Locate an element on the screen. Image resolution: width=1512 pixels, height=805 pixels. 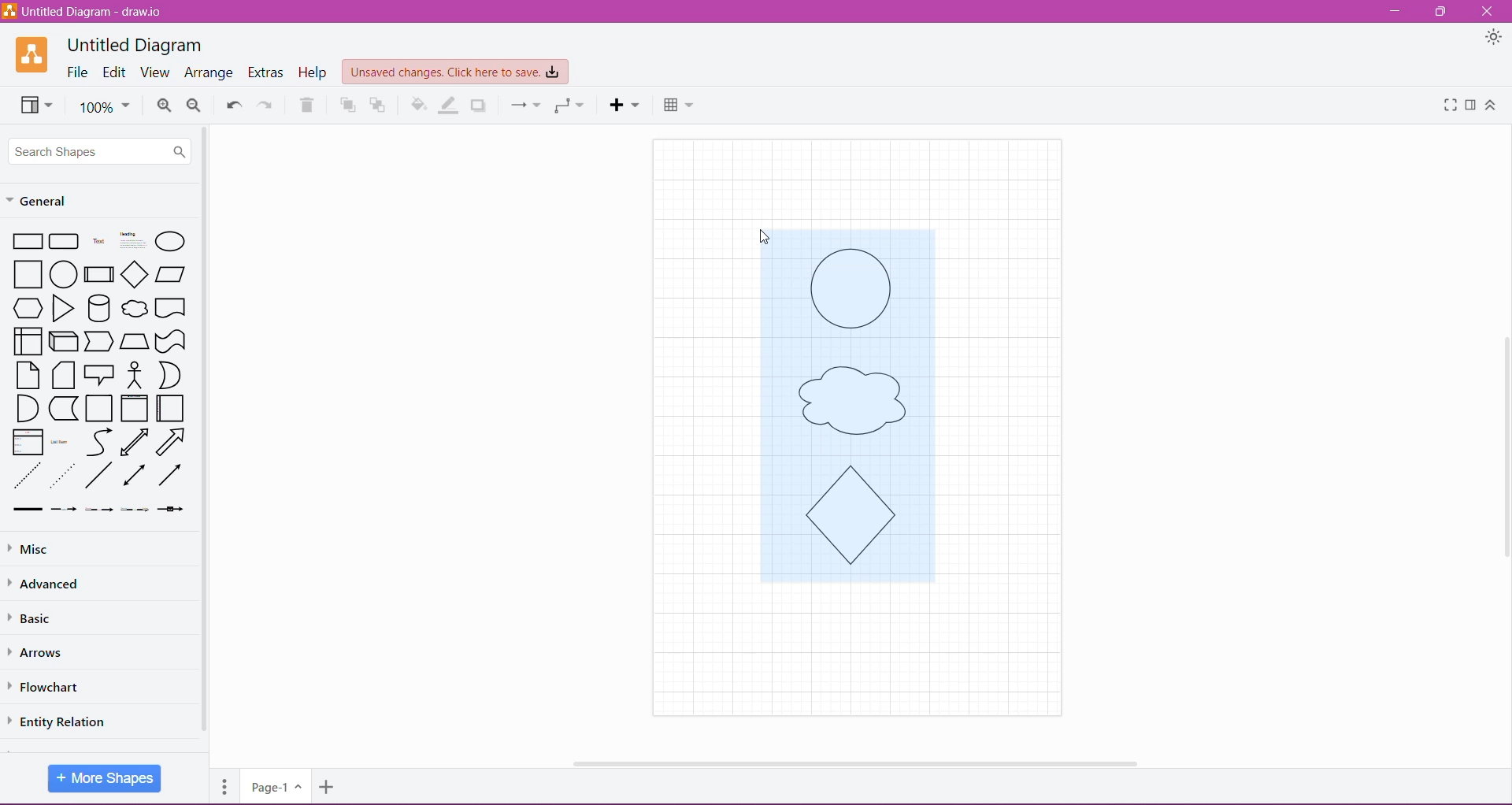
Edit is located at coordinates (115, 73).